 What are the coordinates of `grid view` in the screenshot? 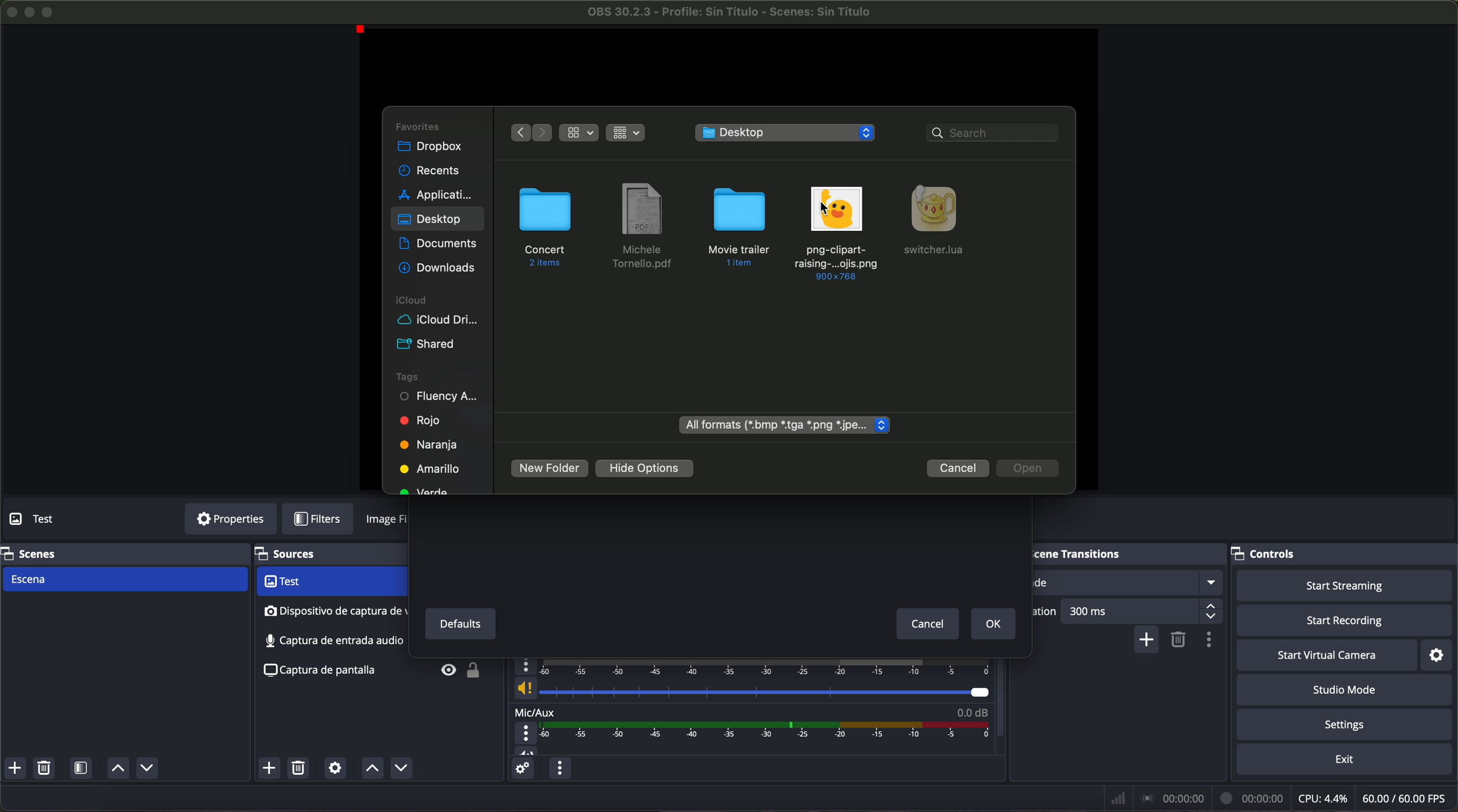 It's located at (626, 134).